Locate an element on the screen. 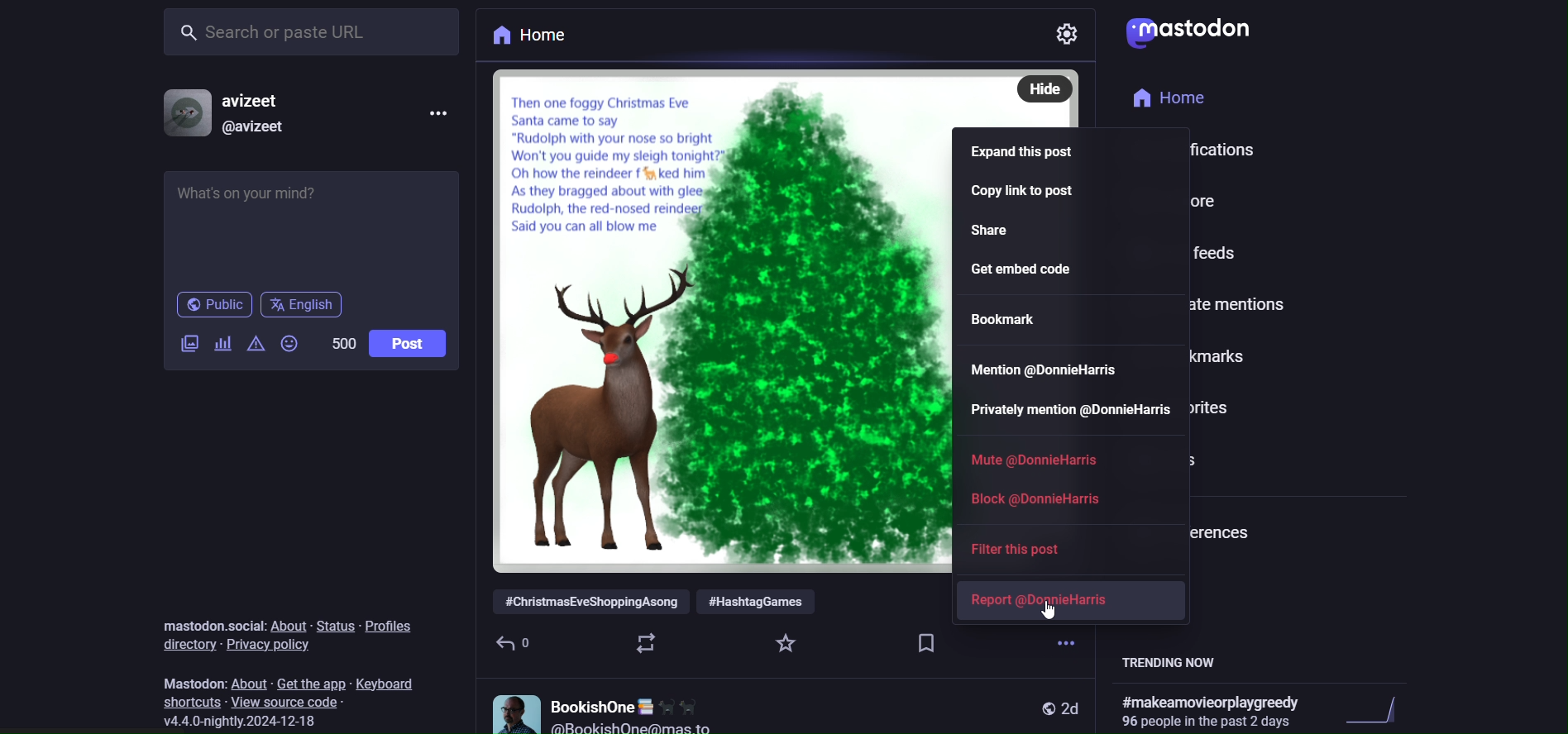 Image resolution: width=1568 pixels, height=734 pixels. status is located at coordinates (336, 626).